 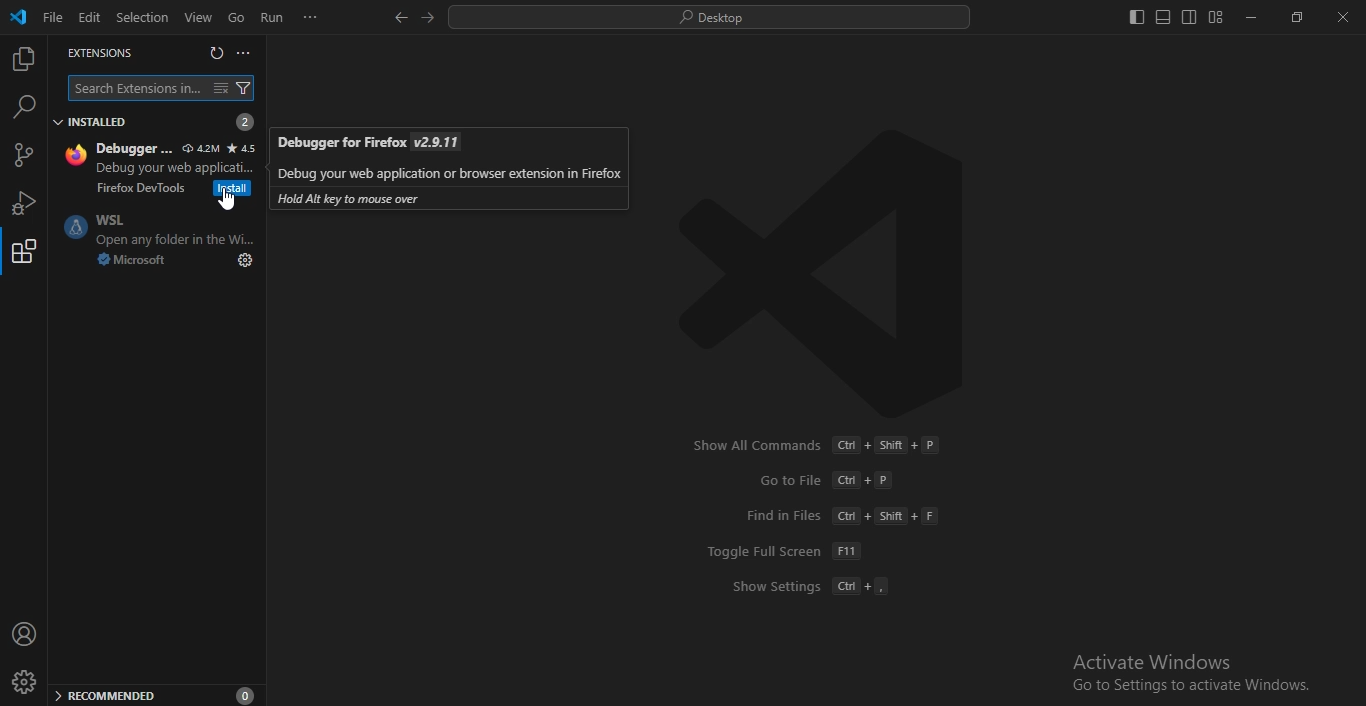 What do you see at coordinates (175, 157) in the screenshot?
I see `Debugger ... 4.2M 4.5 Debug your web applicati..` at bounding box center [175, 157].